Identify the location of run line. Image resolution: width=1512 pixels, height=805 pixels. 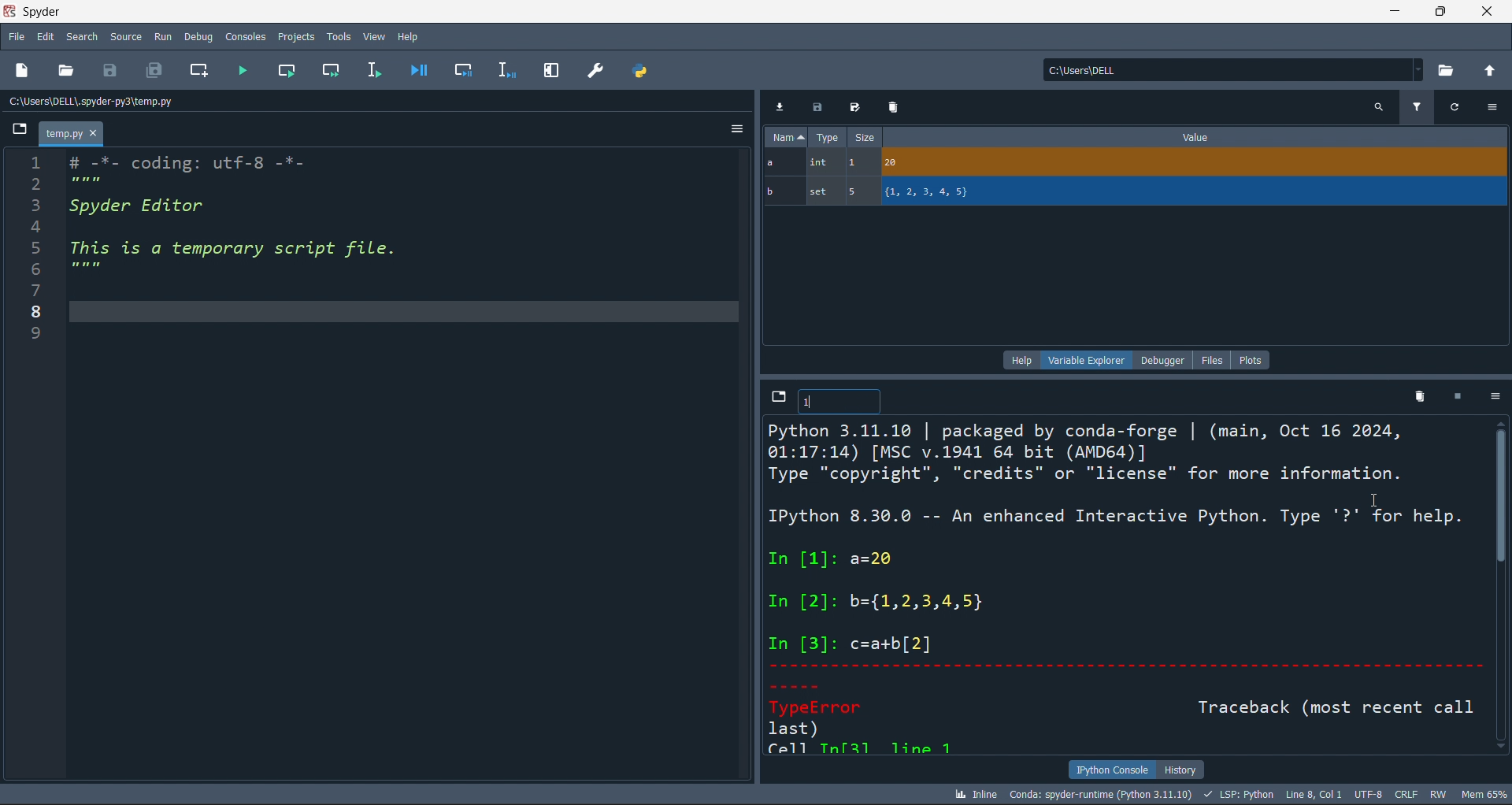
(372, 72).